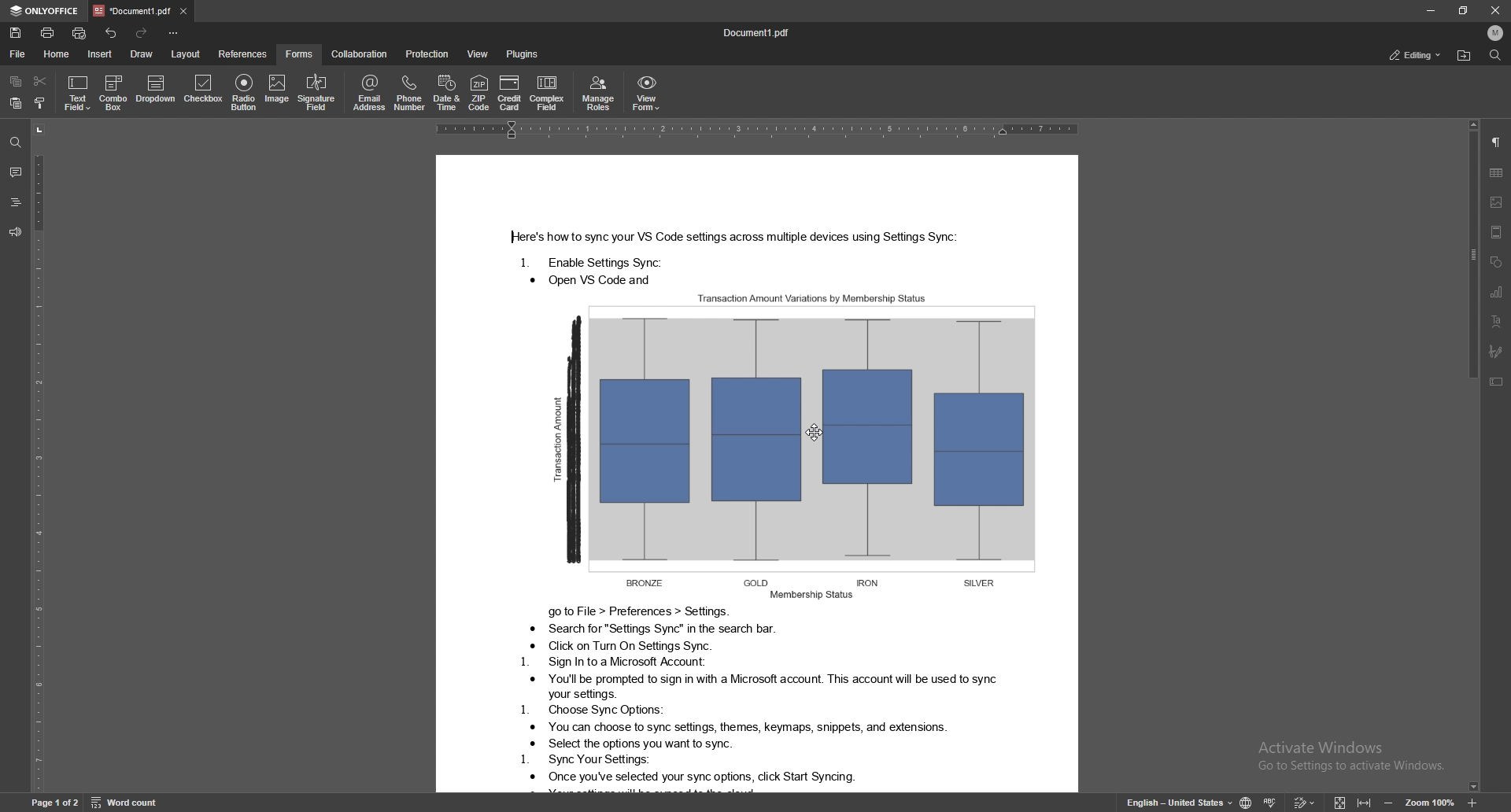  I want to click on Image, so click(792, 445).